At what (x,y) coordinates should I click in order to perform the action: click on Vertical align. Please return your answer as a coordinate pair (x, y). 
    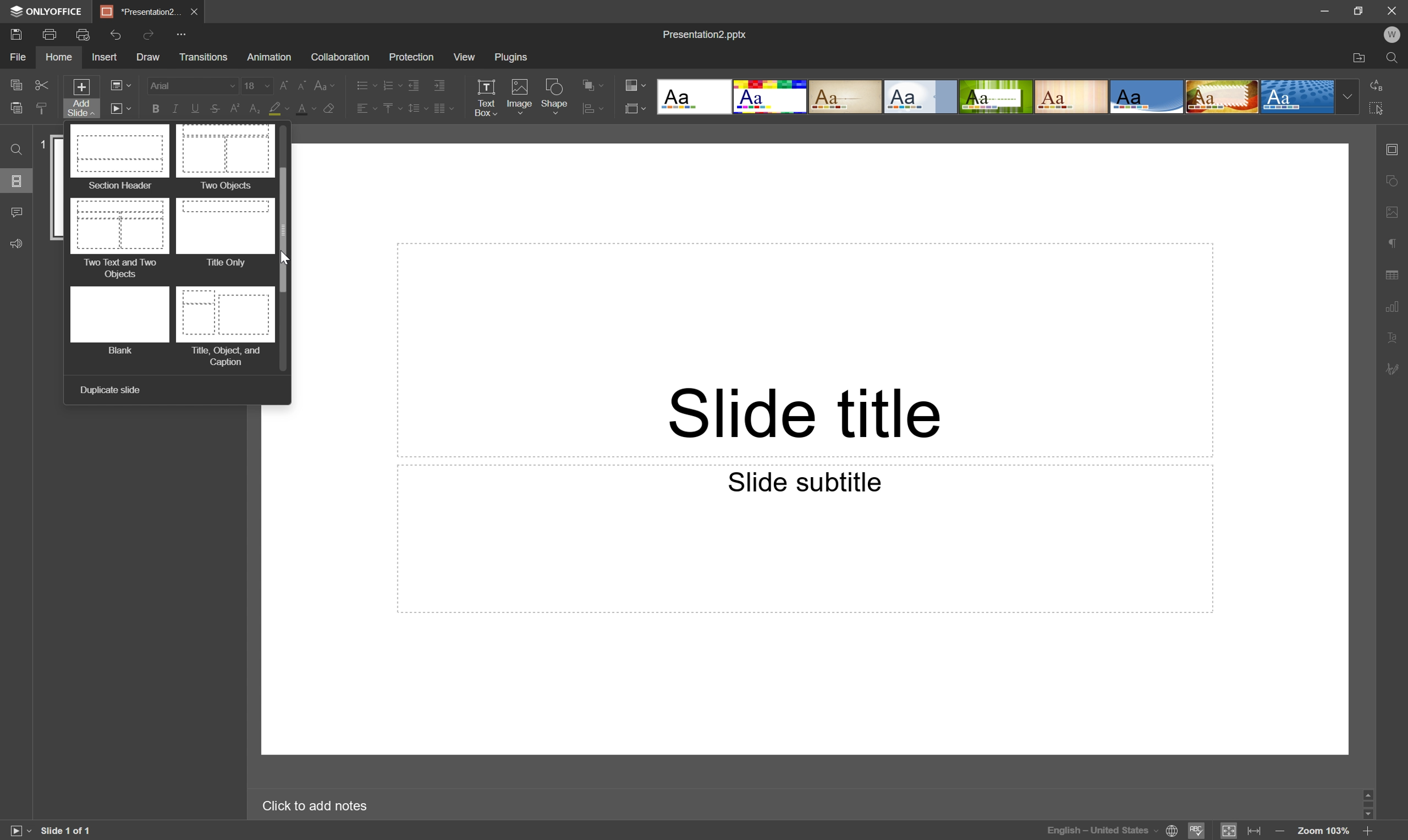
    Looking at the image, I should click on (389, 109).